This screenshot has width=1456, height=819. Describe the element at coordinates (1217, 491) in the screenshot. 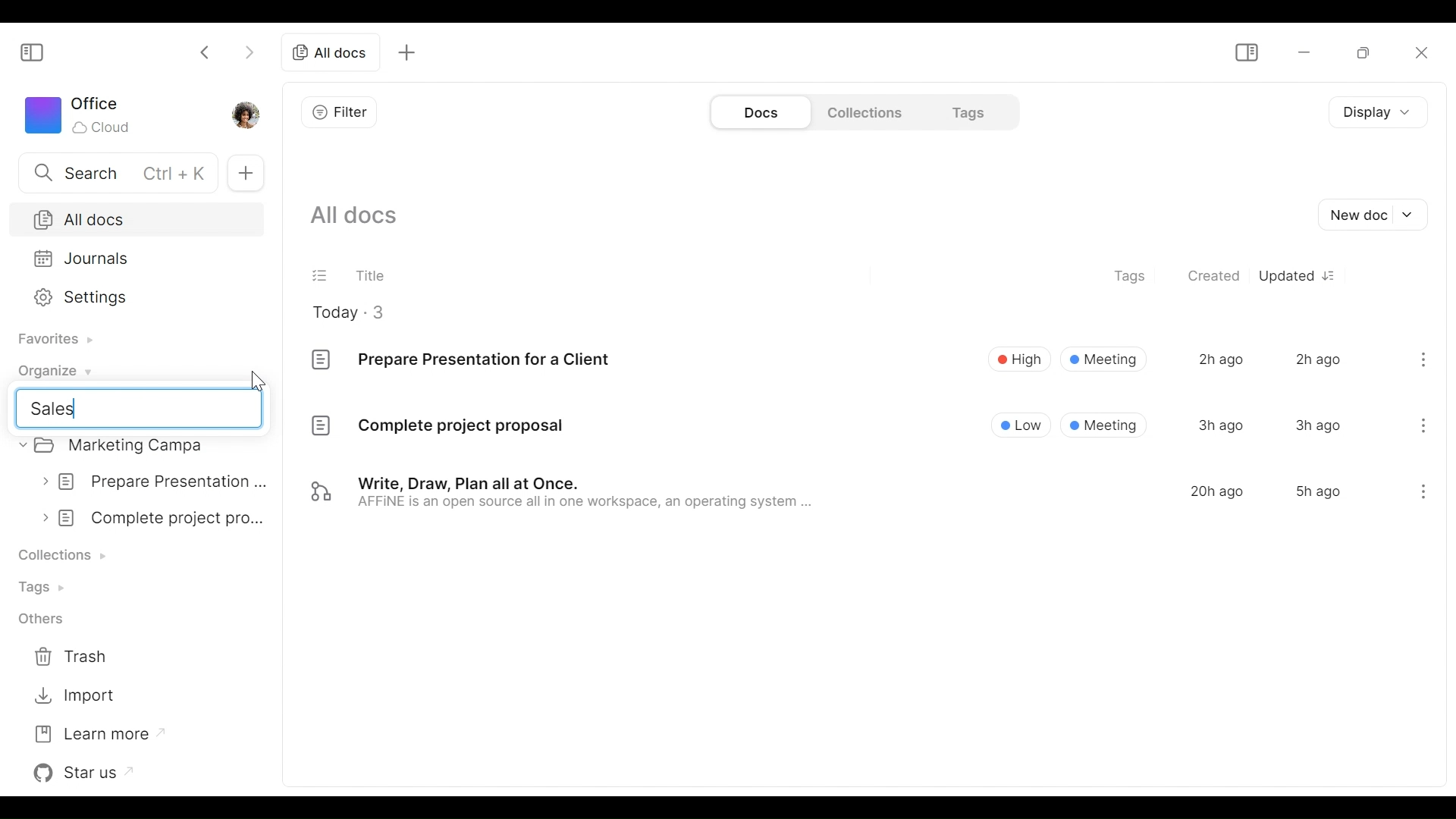

I see `20h ago` at that location.